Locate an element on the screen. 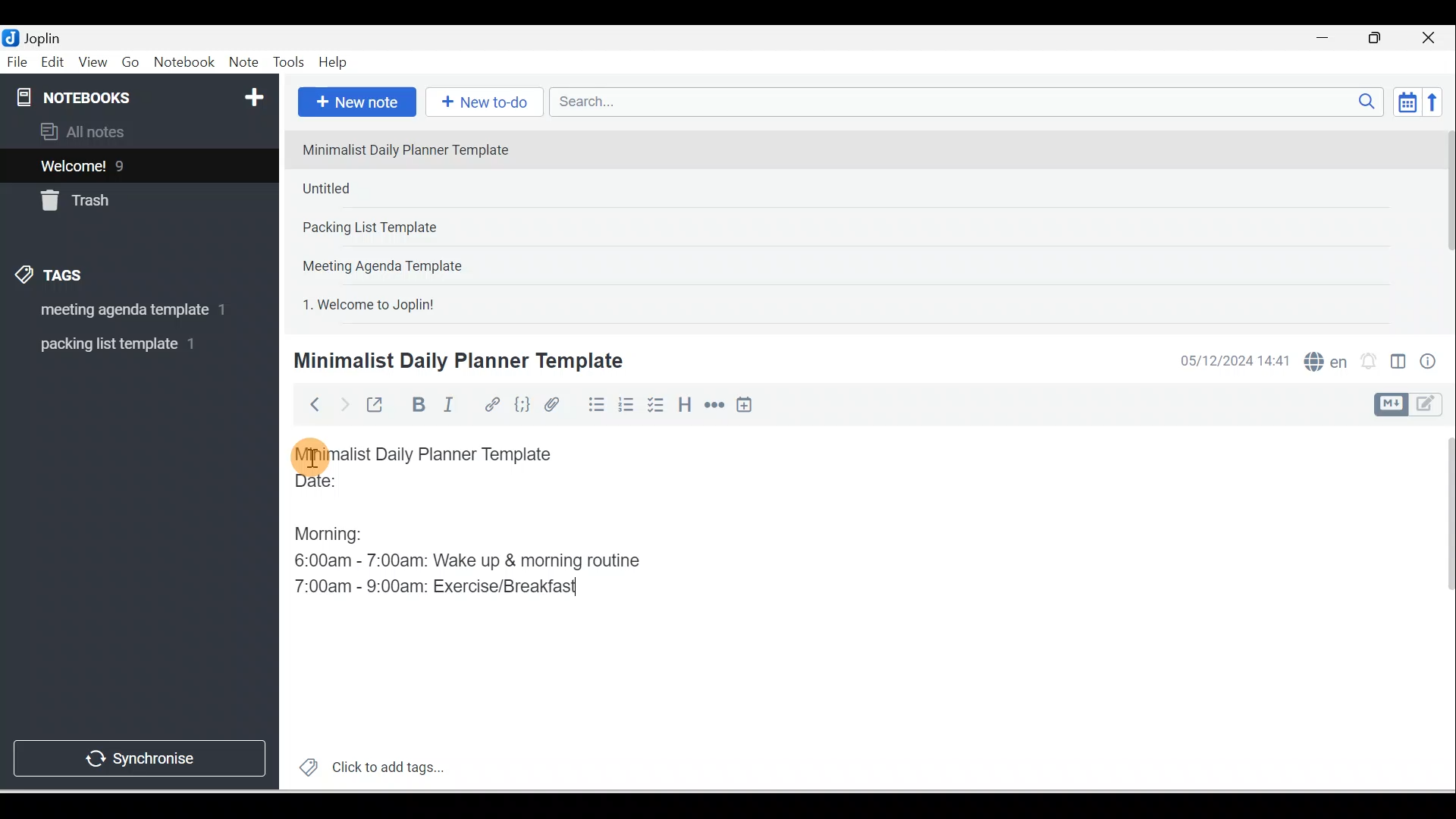 This screenshot has width=1456, height=819. View is located at coordinates (93, 63).